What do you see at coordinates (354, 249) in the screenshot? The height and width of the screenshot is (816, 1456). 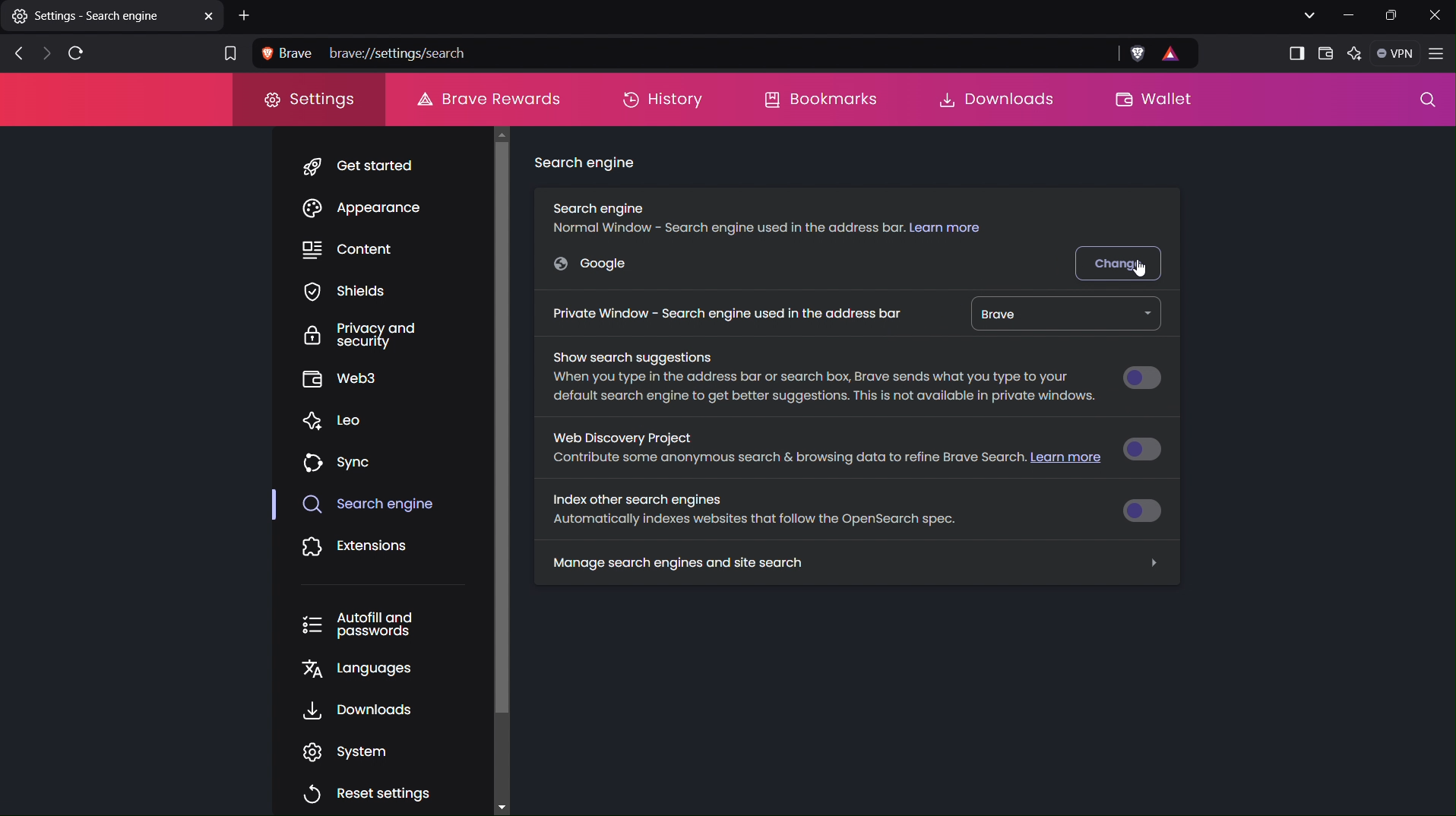 I see `Content` at bounding box center [354, 249].